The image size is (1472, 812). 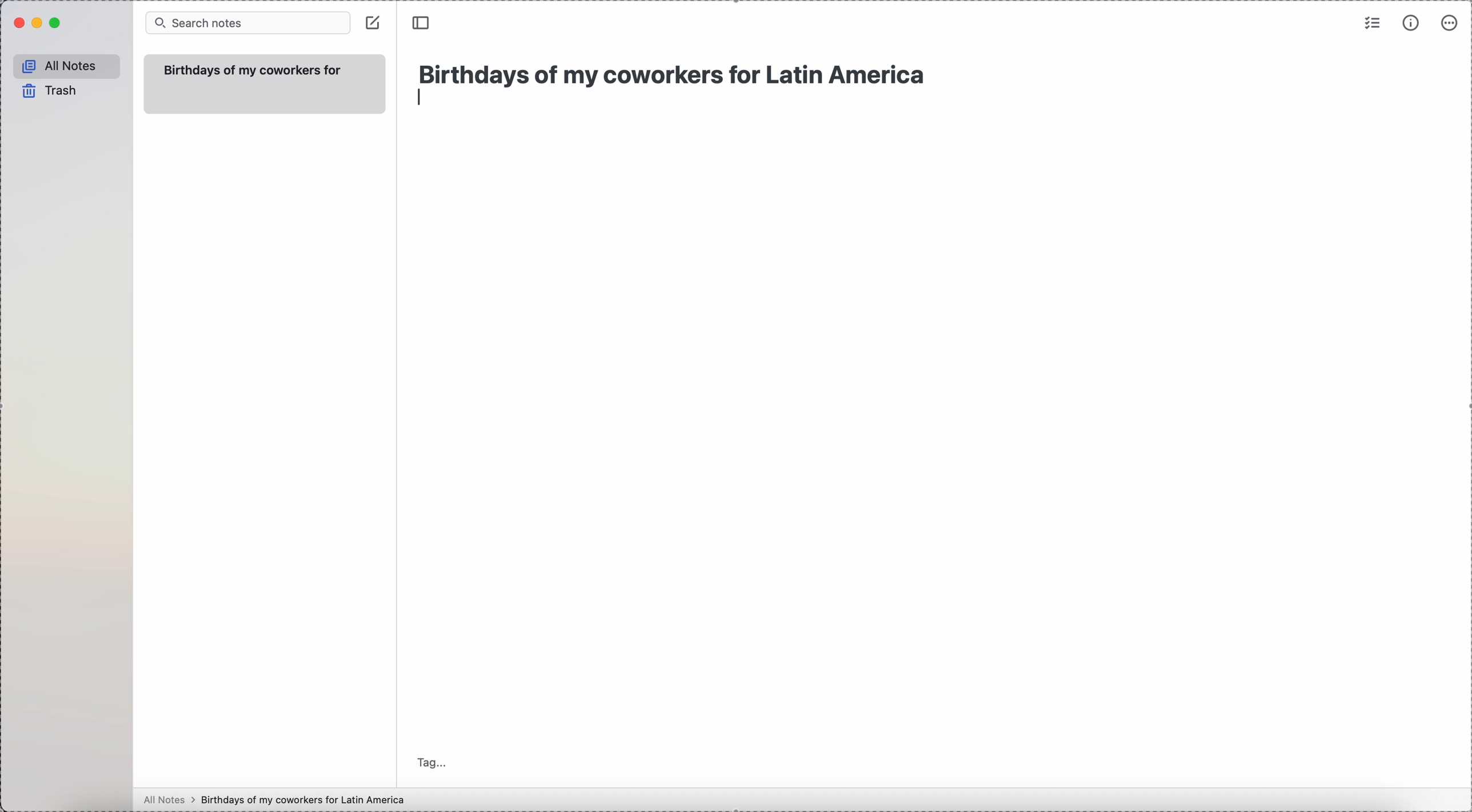 I want to click on check list, so click(x=1371, y=22).